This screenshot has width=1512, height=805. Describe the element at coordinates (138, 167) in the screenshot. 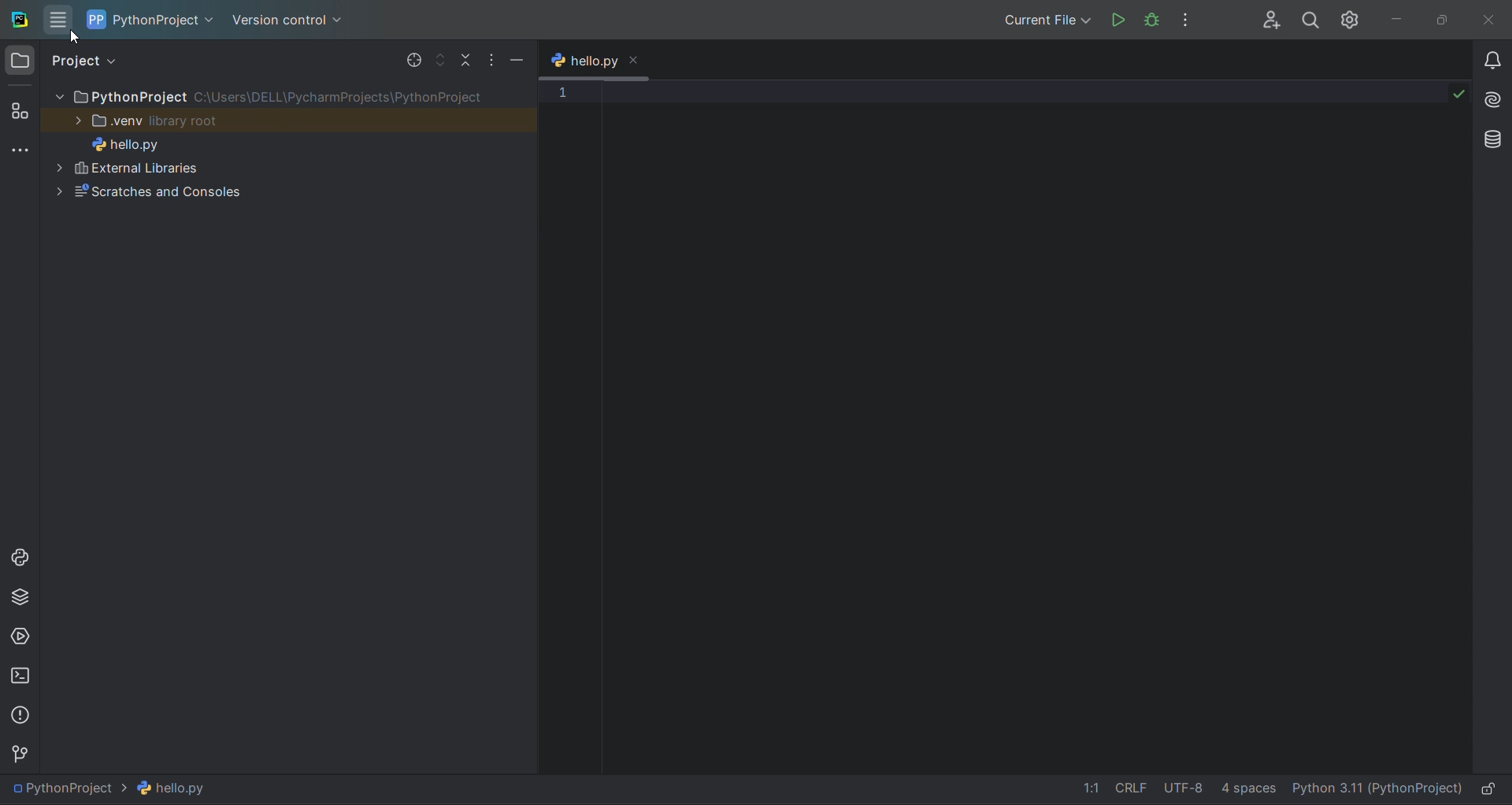

I see `External Libaries` at that location.